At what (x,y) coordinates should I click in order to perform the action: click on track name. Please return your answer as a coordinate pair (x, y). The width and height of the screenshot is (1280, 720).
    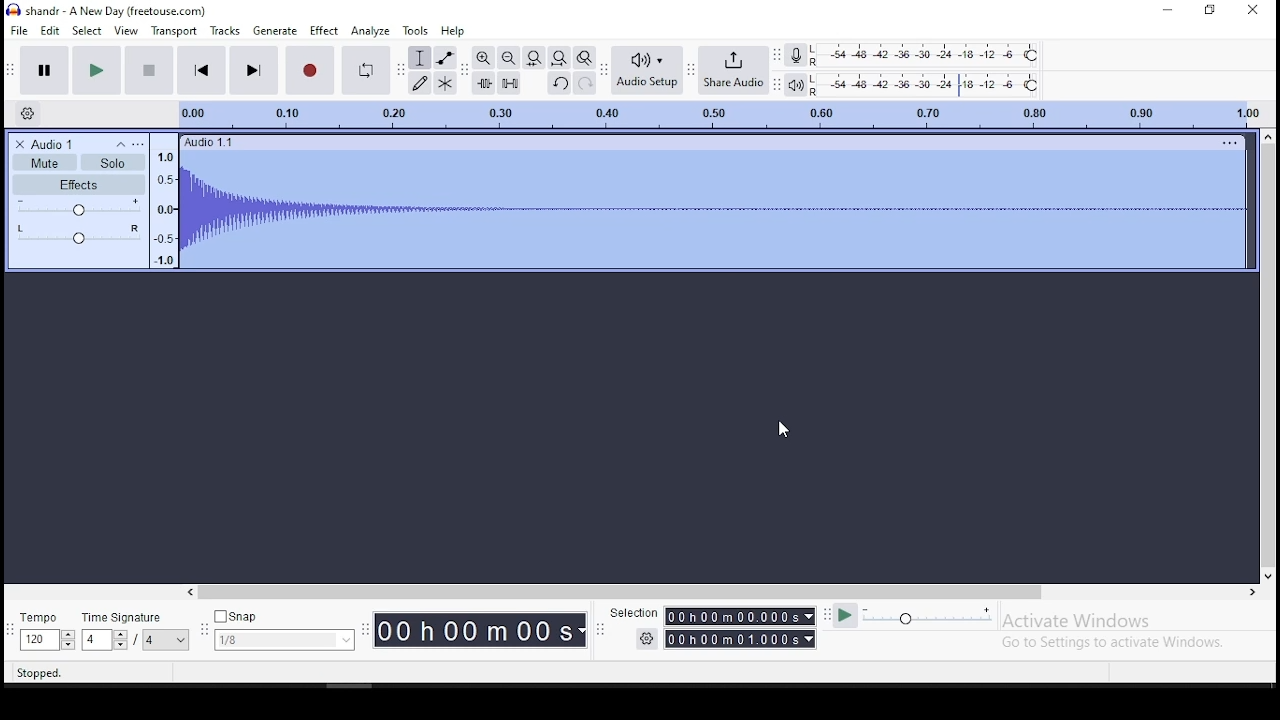
    Looking at the image, I should click on (55, 144).